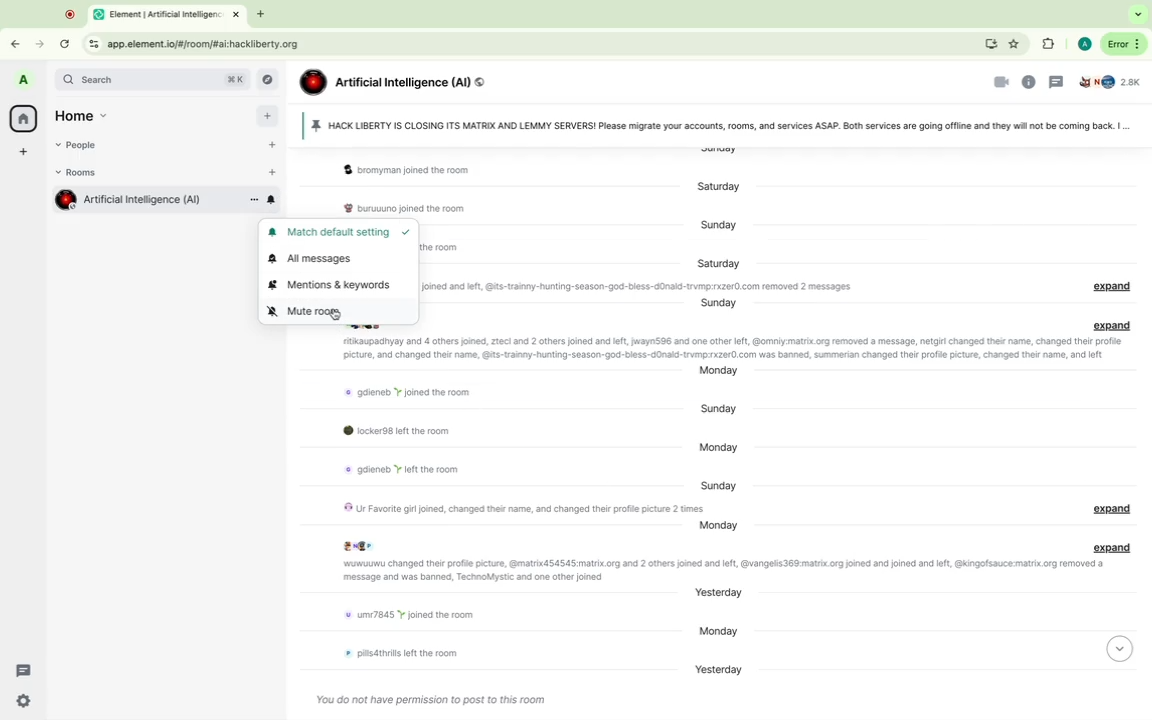 The height and width of the screenshot is (720, 1152). Describe the element at coordinates (1015, 44) in the screenshot. I see `Favorite` at that location.